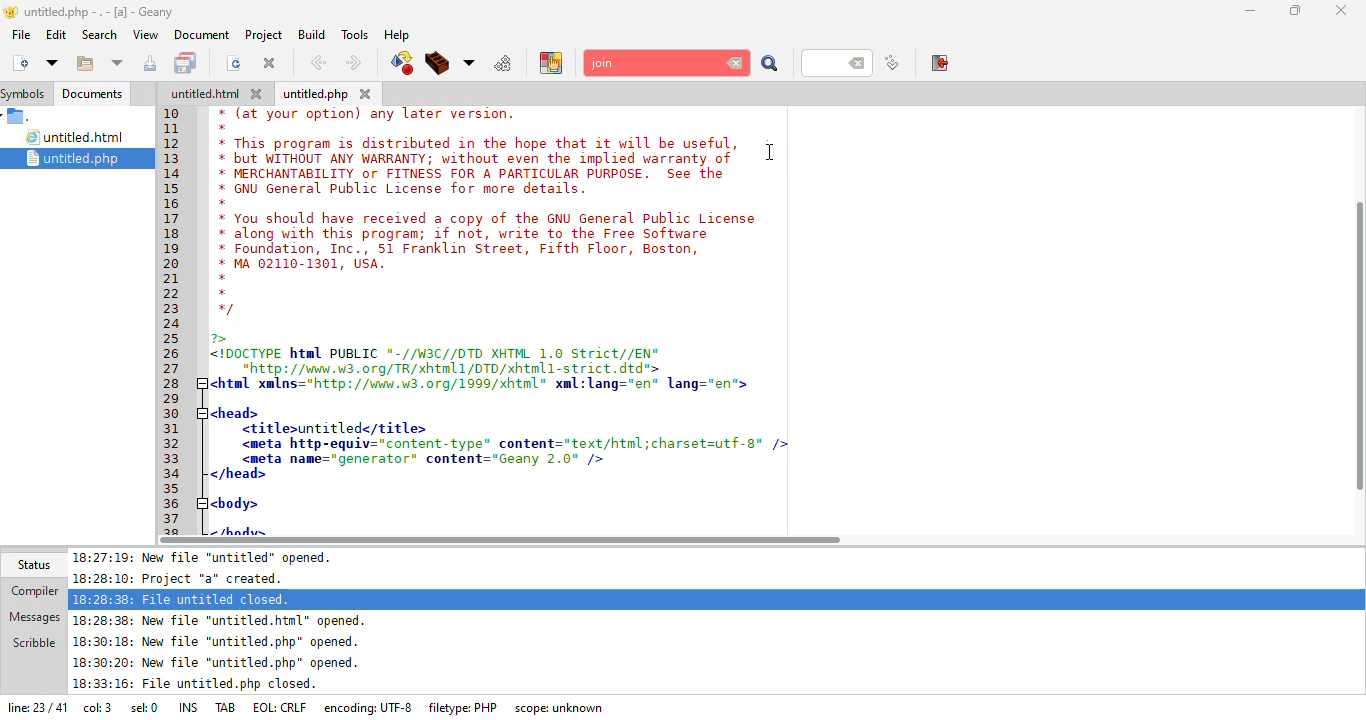  I want to click on 28, so click(174, 382).